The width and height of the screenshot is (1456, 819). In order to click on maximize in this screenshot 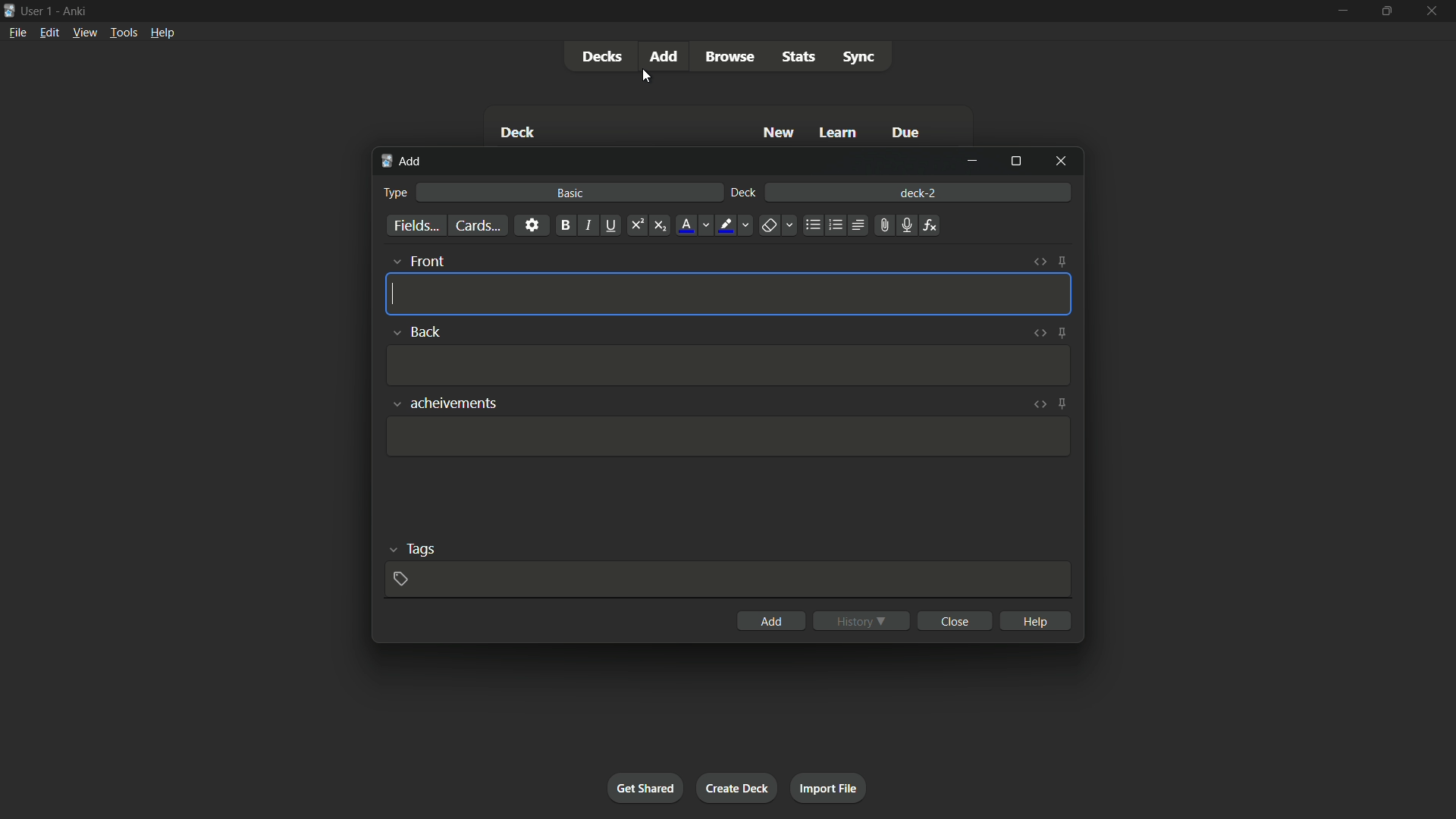, I will do `click(1014, 162)`.